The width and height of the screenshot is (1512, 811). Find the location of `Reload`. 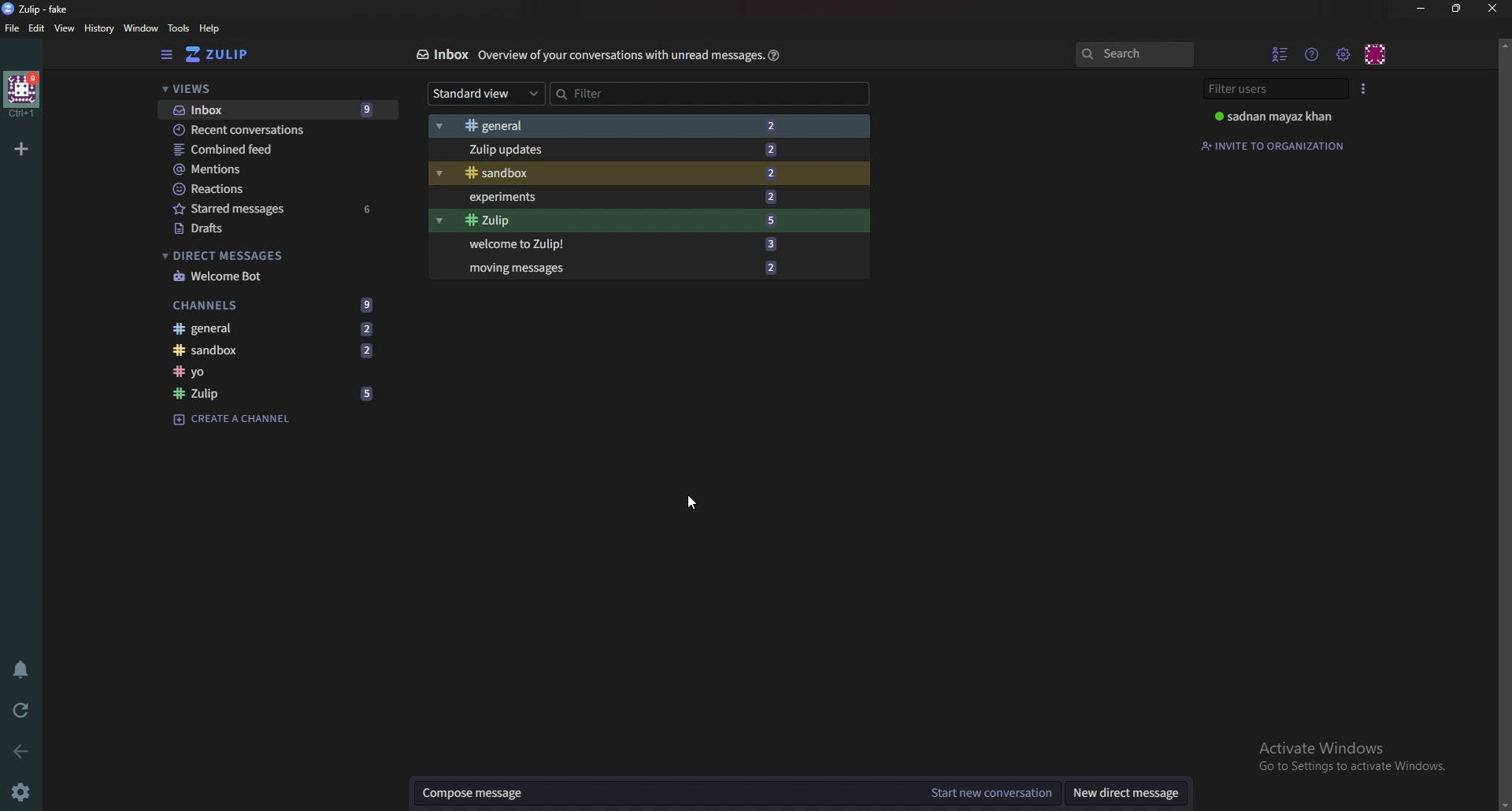

Reload is located at coordinates (24, 709).